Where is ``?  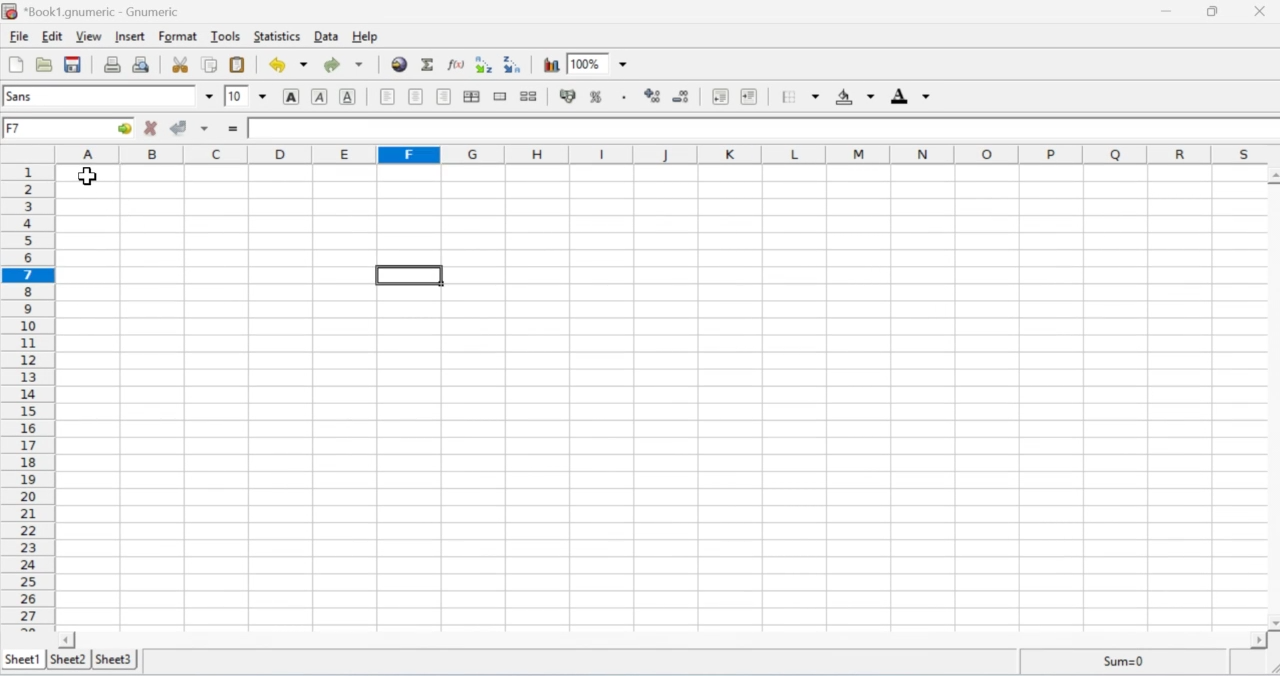
 is located at coordinates (290, 97).